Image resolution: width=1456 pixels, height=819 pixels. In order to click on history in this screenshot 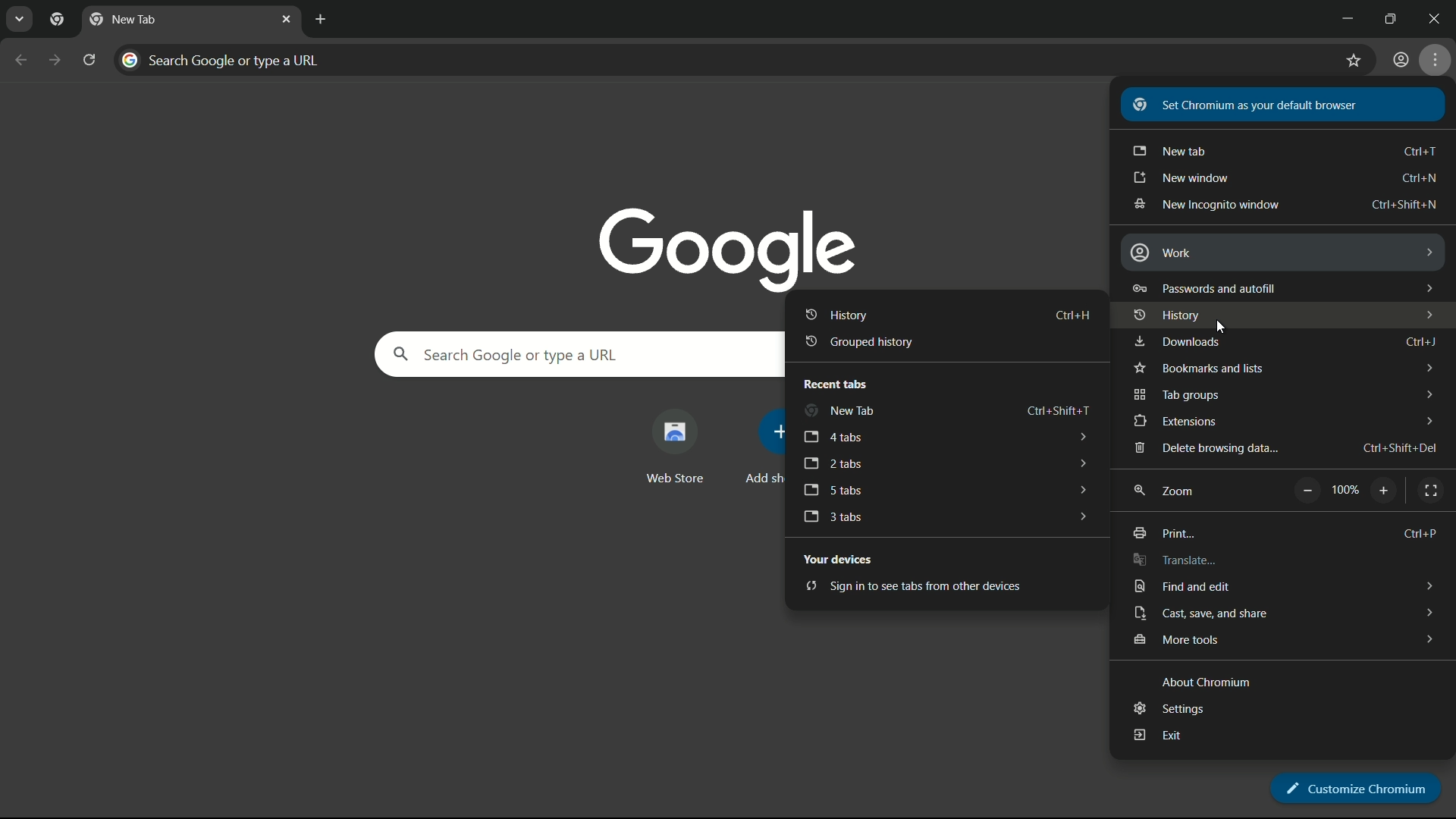, I will do `click(1169, 316)`.